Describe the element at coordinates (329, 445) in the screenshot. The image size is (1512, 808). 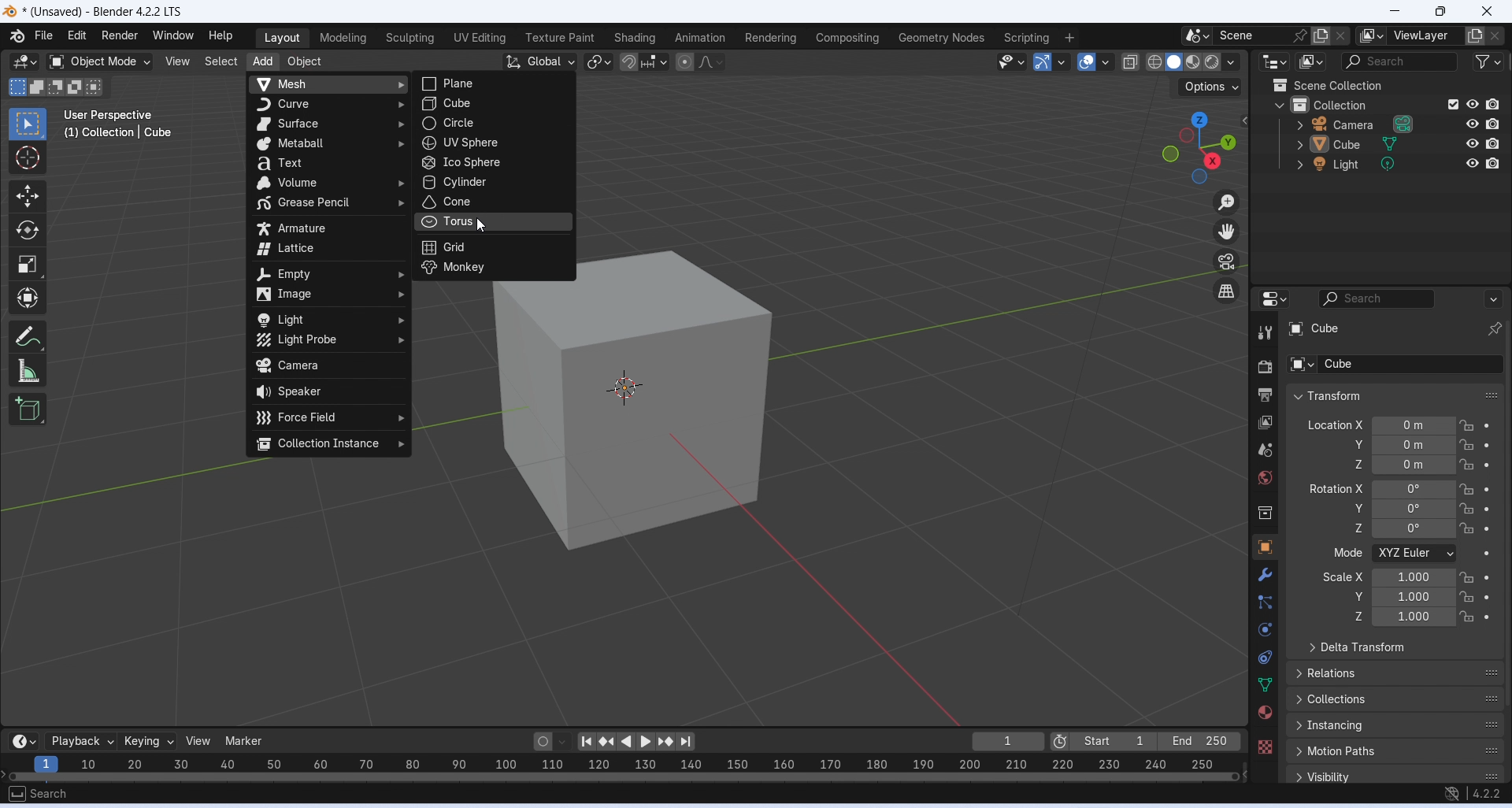
I see `collection instance` at that location.